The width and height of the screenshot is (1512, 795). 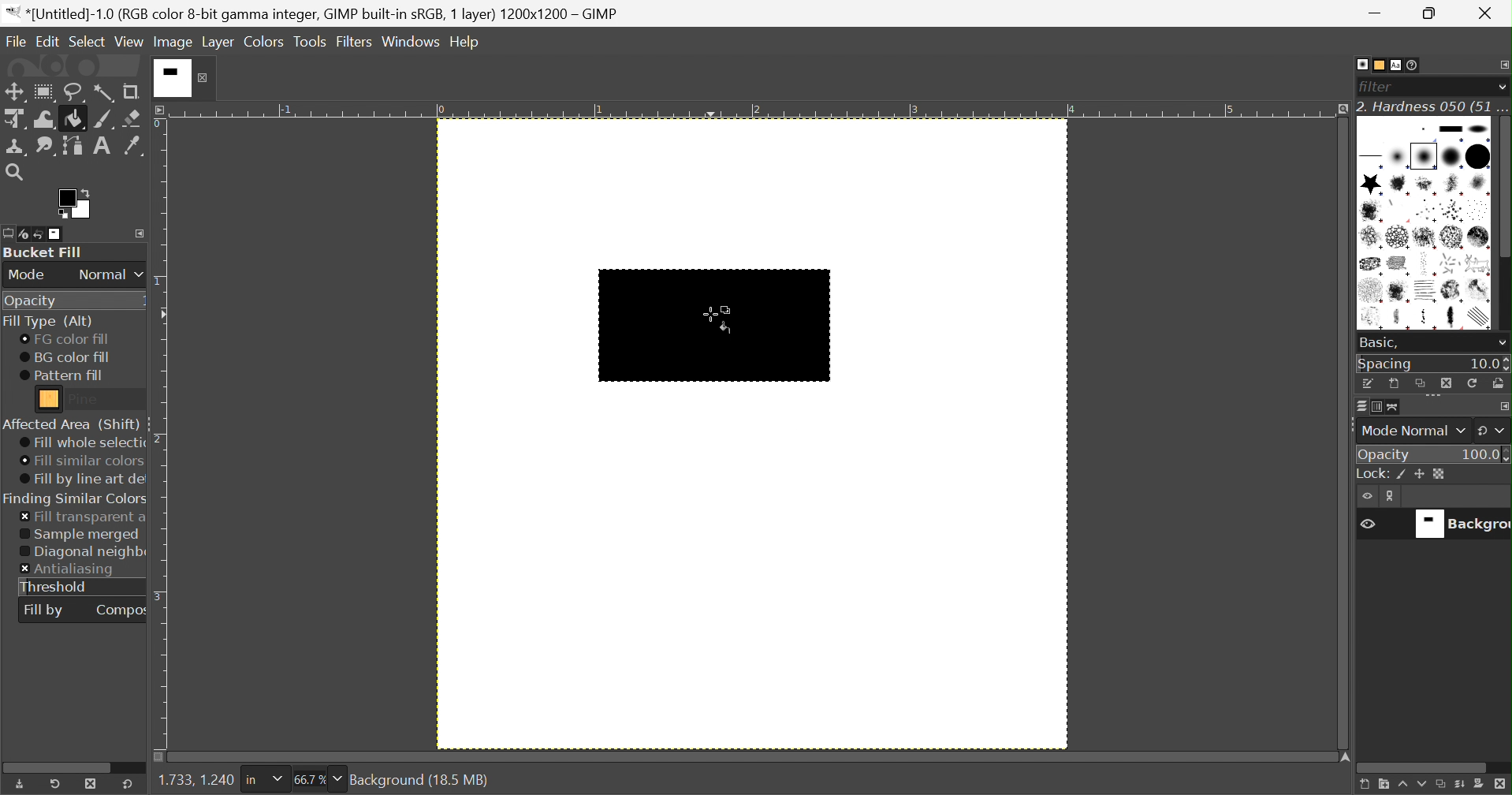 I want to click on Raise this layer one step in the layer stack, so click(x=1402, y=786).